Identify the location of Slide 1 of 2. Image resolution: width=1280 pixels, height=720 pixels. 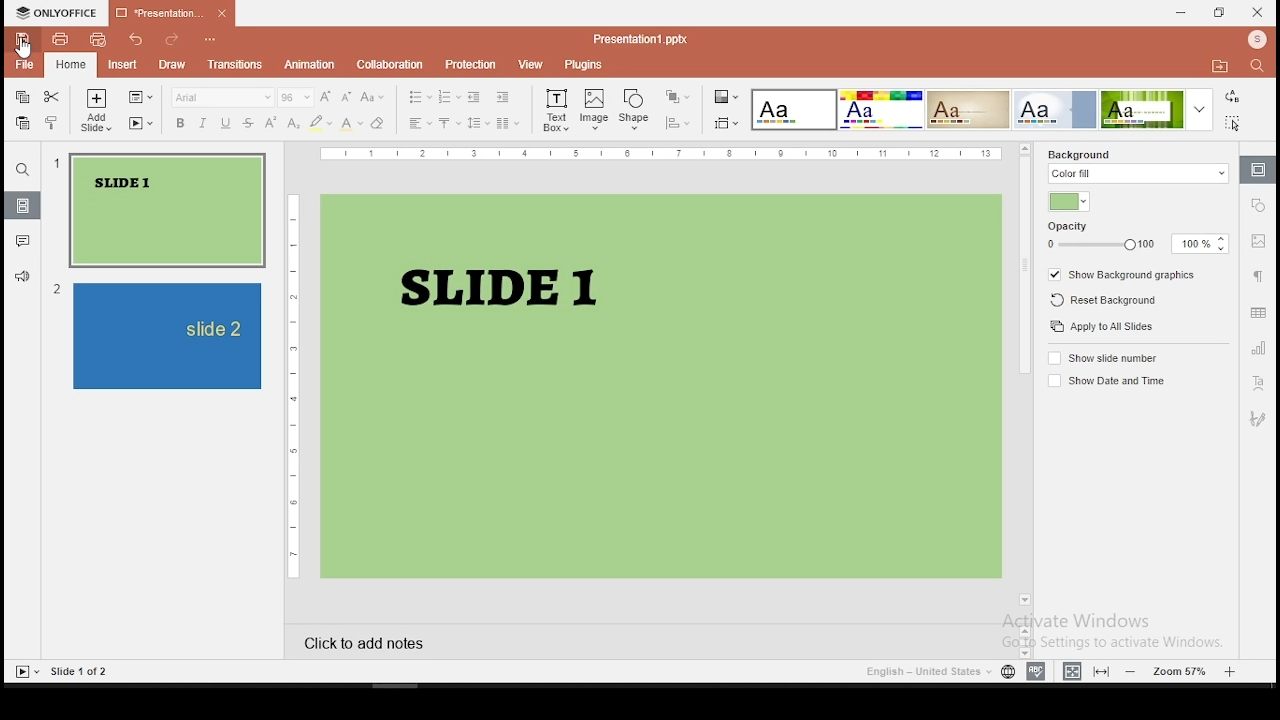
(81, 672).